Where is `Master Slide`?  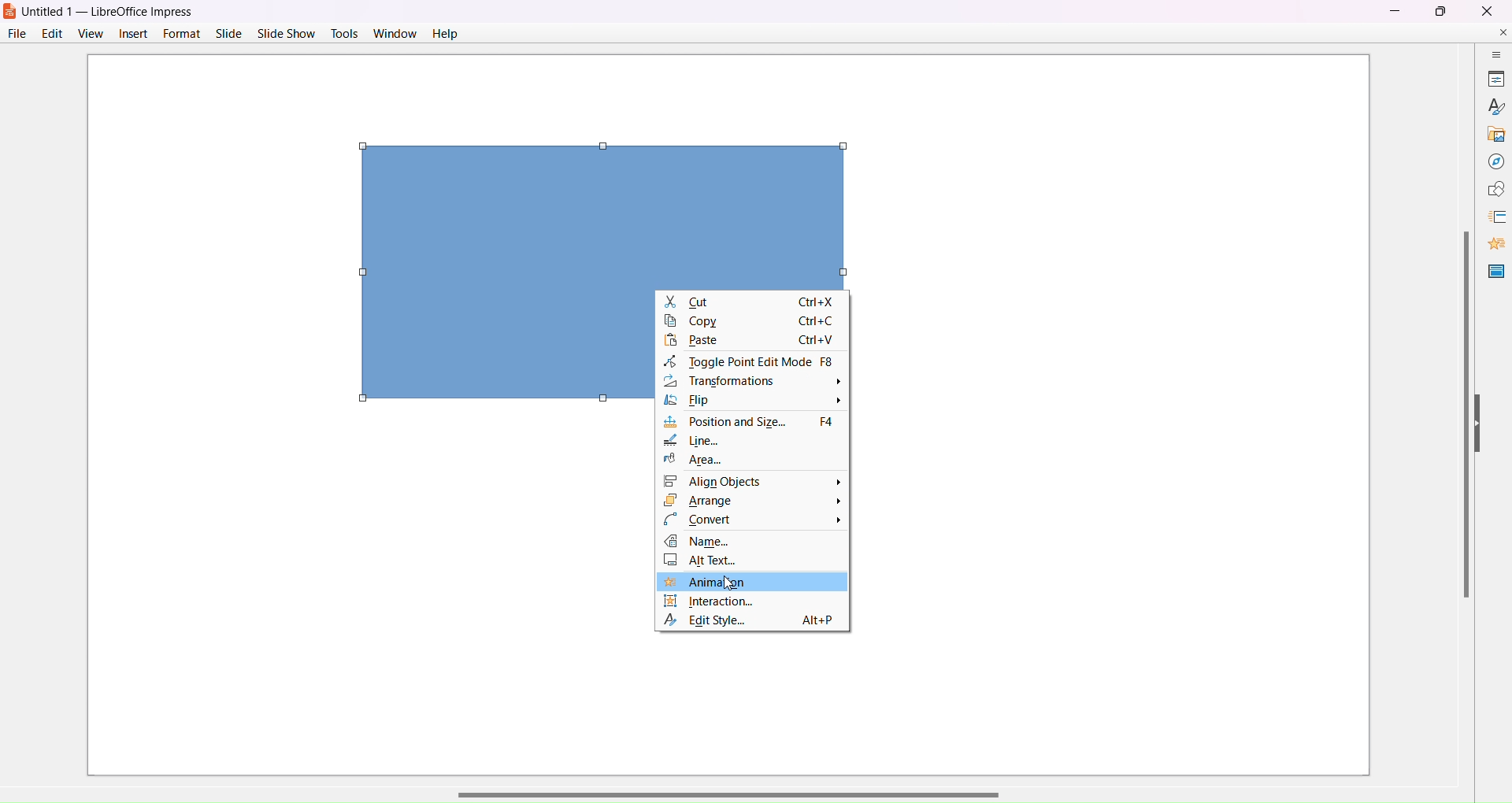
Master Slide is located at coordinates (1494, 270).